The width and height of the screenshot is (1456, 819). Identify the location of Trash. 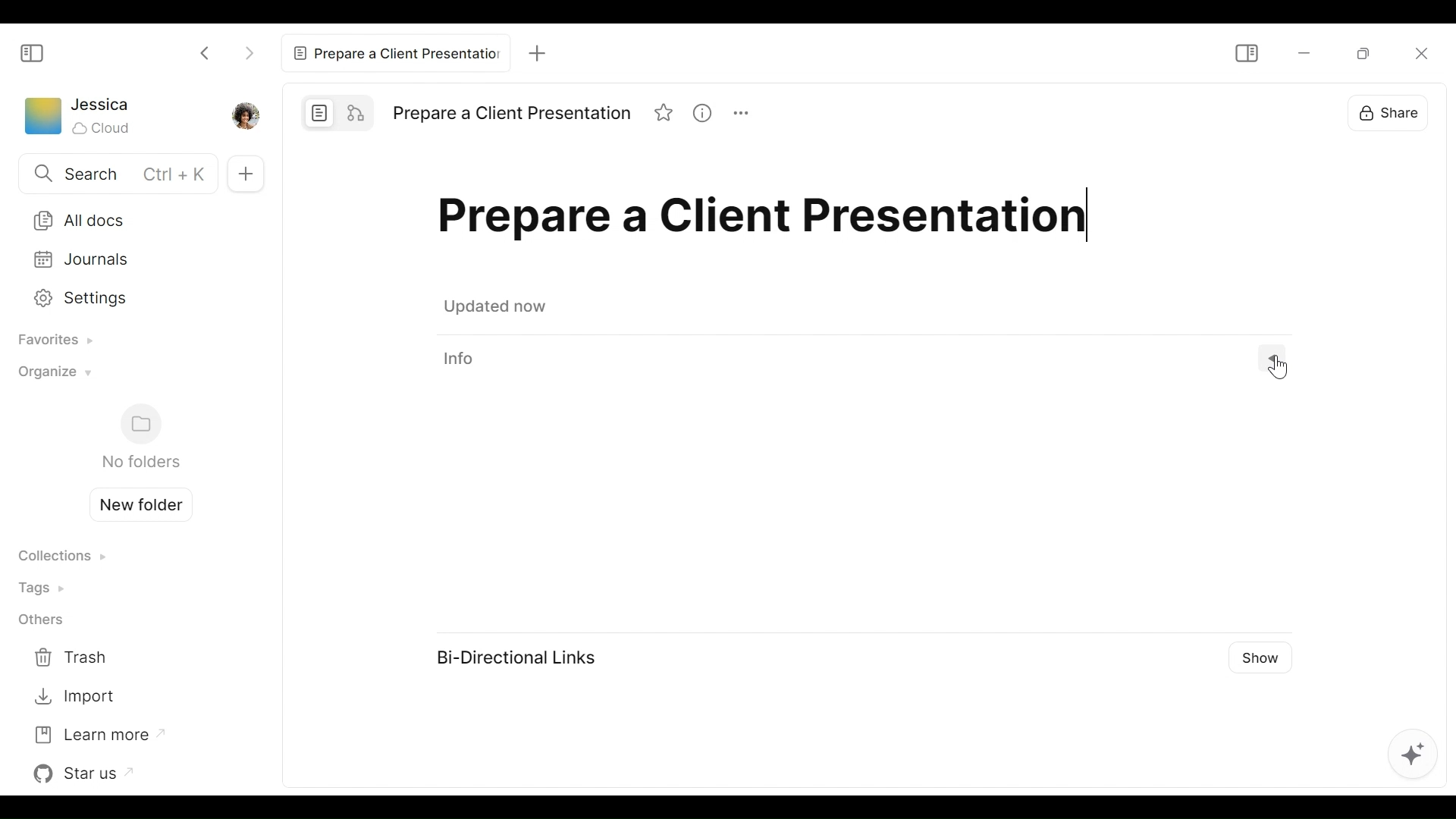
(74, 658).